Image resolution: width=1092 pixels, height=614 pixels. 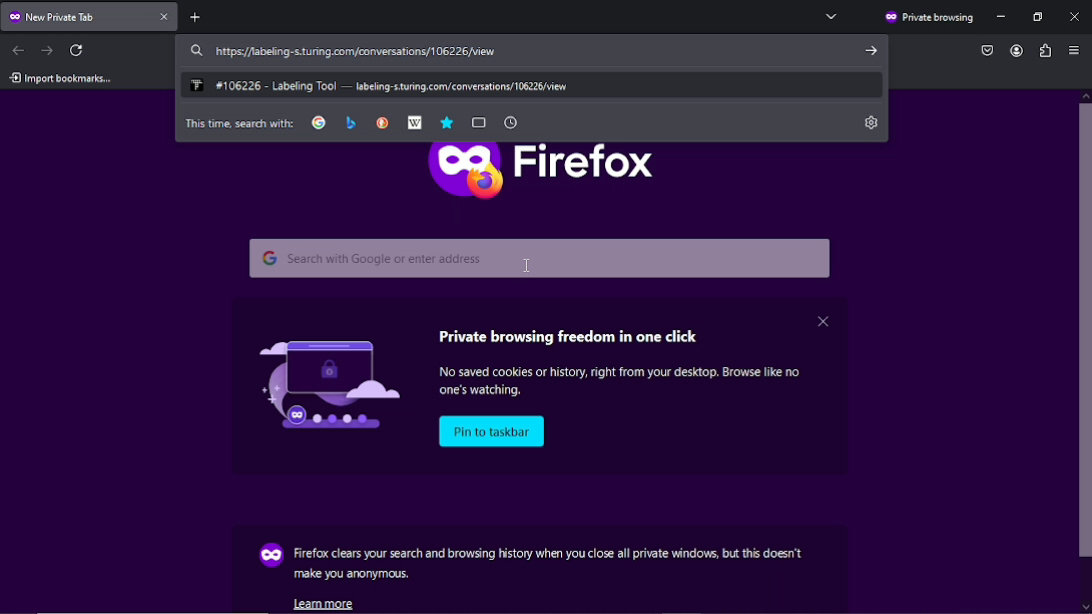 I want to click on go, so click(x=867, y=50).